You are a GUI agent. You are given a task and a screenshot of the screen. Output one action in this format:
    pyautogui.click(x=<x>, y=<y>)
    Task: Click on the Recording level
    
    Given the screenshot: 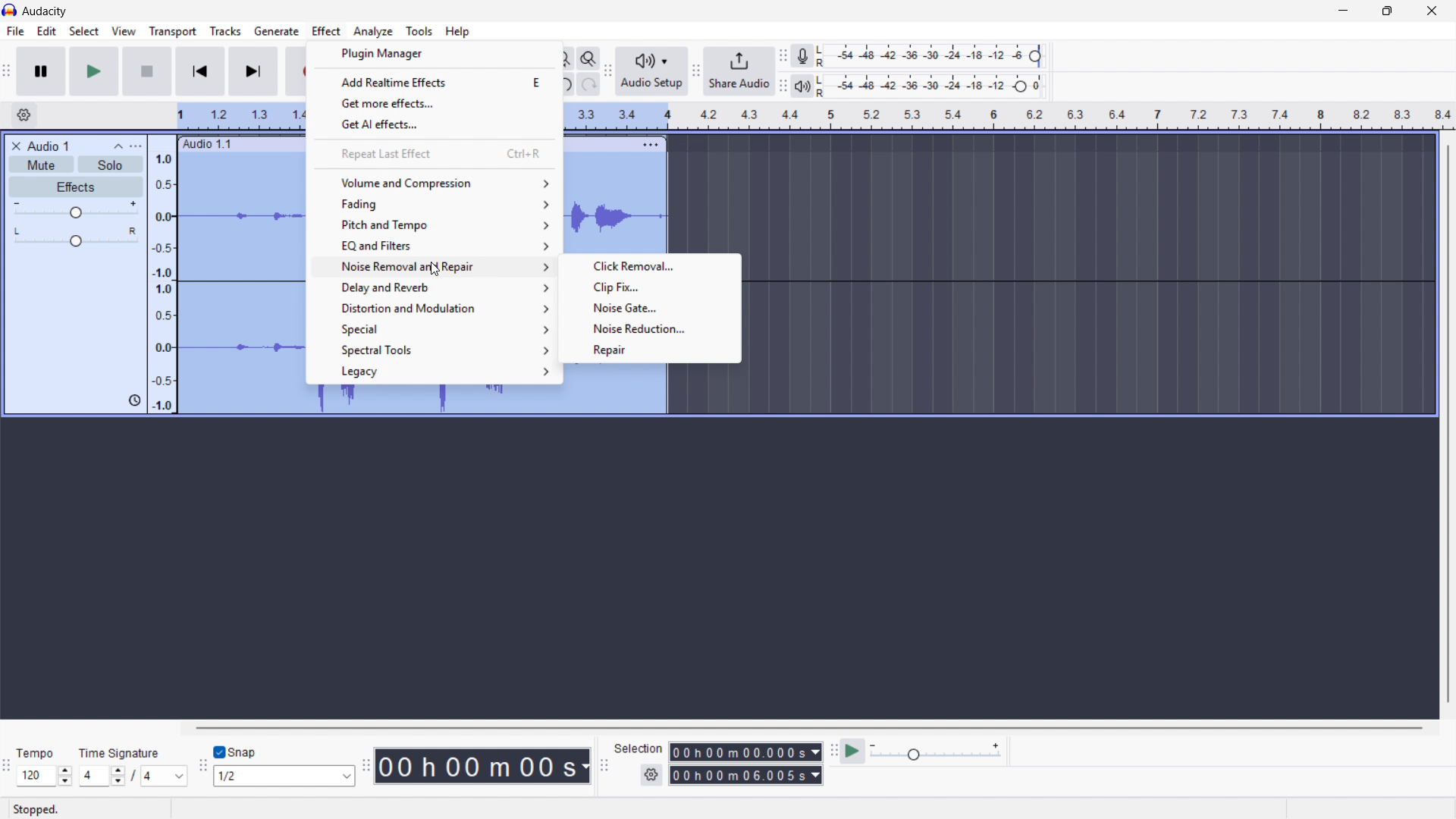 What is the action you would take?
    pyautogui.click(x=934, y=56)
    